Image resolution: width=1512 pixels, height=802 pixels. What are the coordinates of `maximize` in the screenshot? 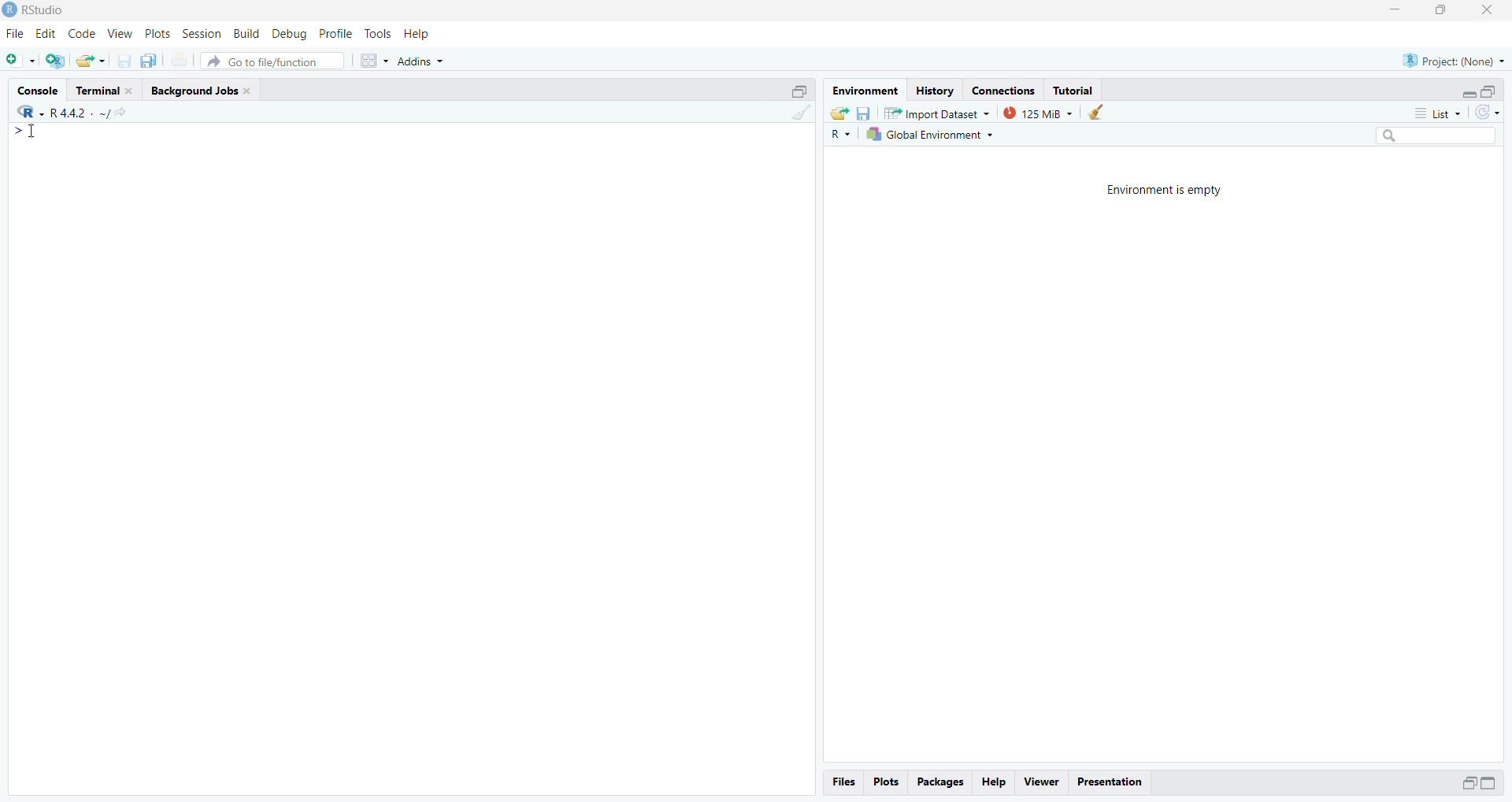 It's located at (1489, 92).